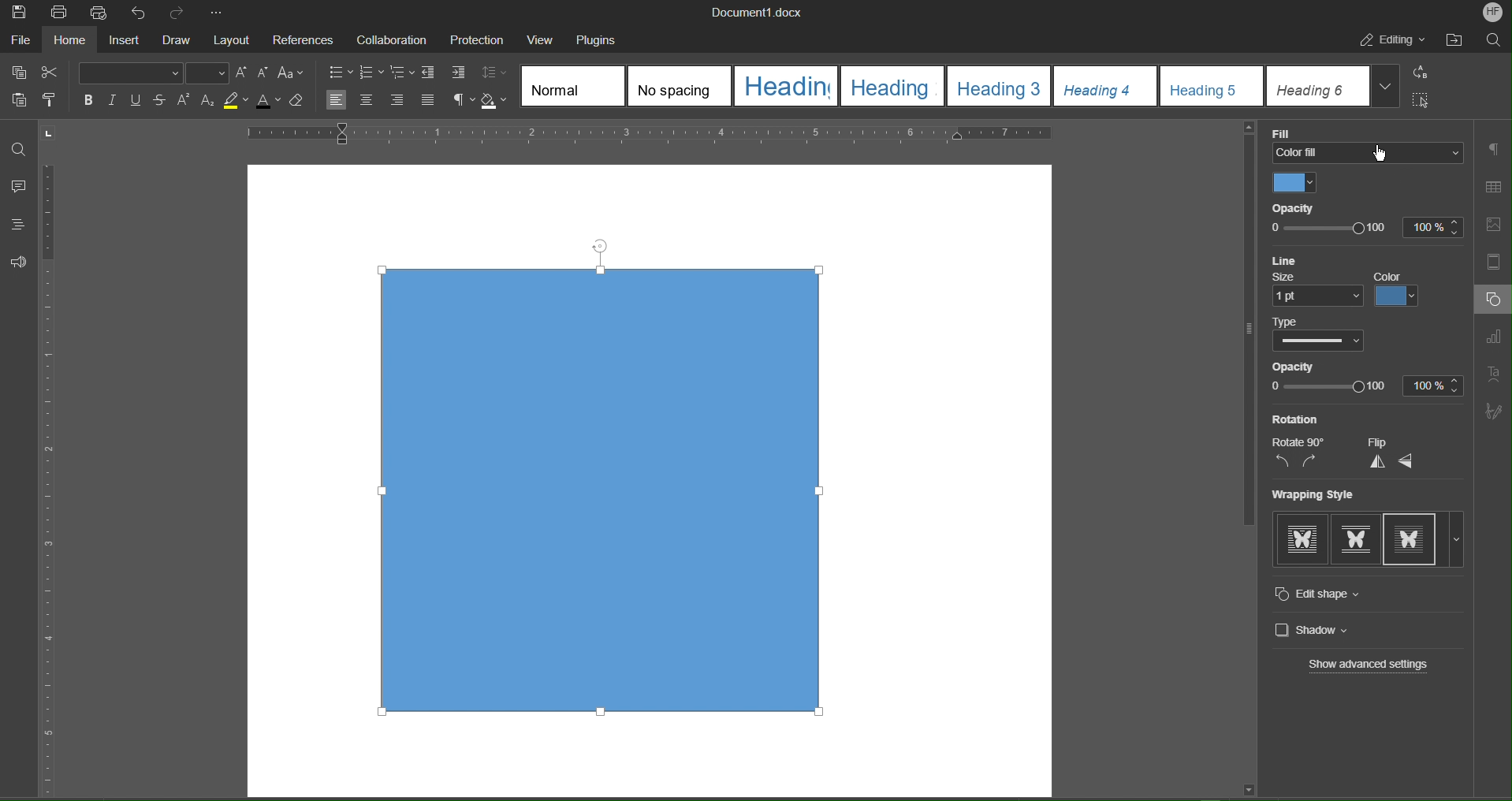 This screenshot has width=1512, height=801. Describe the element at coordinates (463, 101) in the screenshot. I see `Non-Printing Characters` at that location.